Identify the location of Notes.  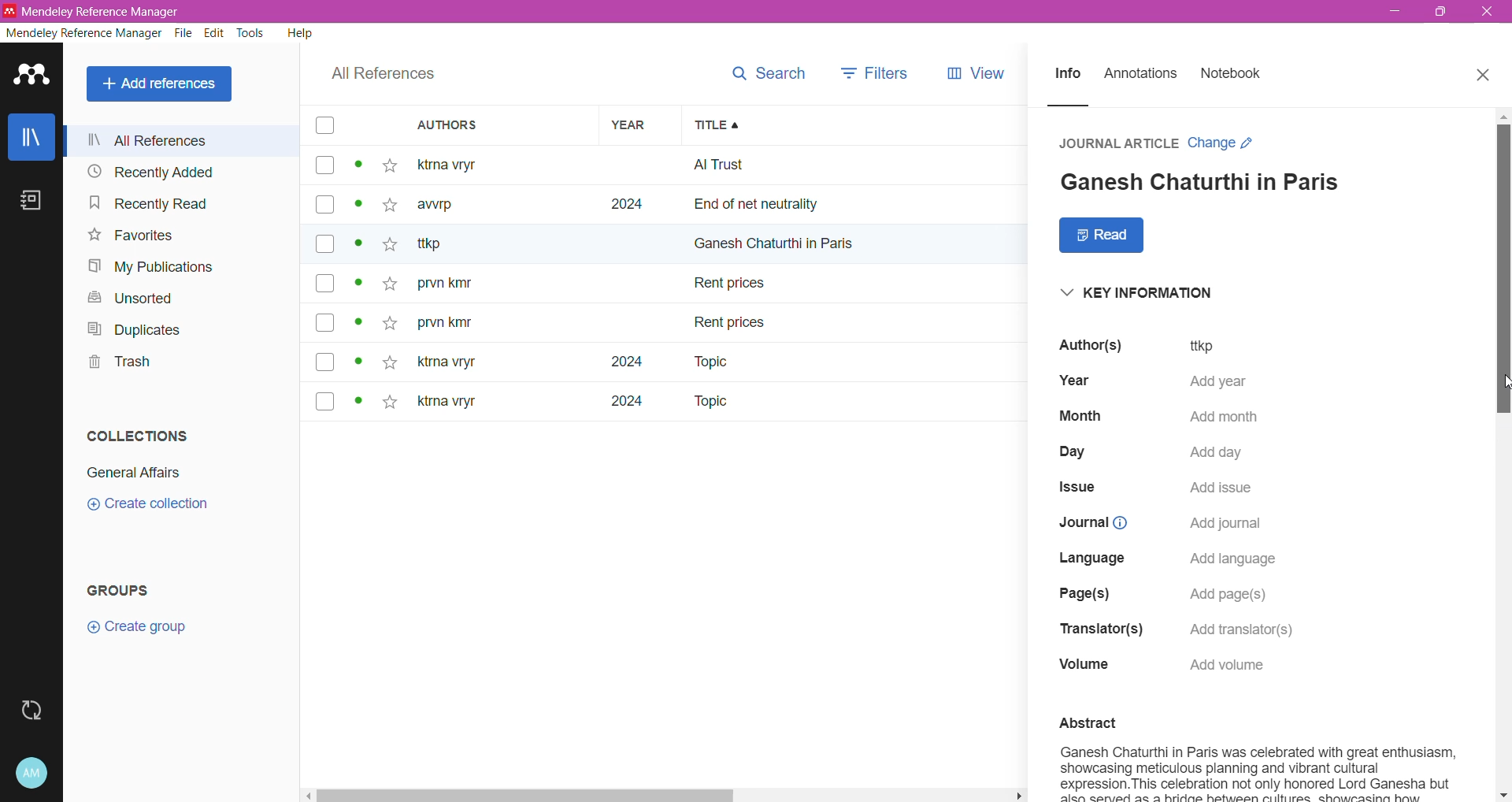
(29, 200).